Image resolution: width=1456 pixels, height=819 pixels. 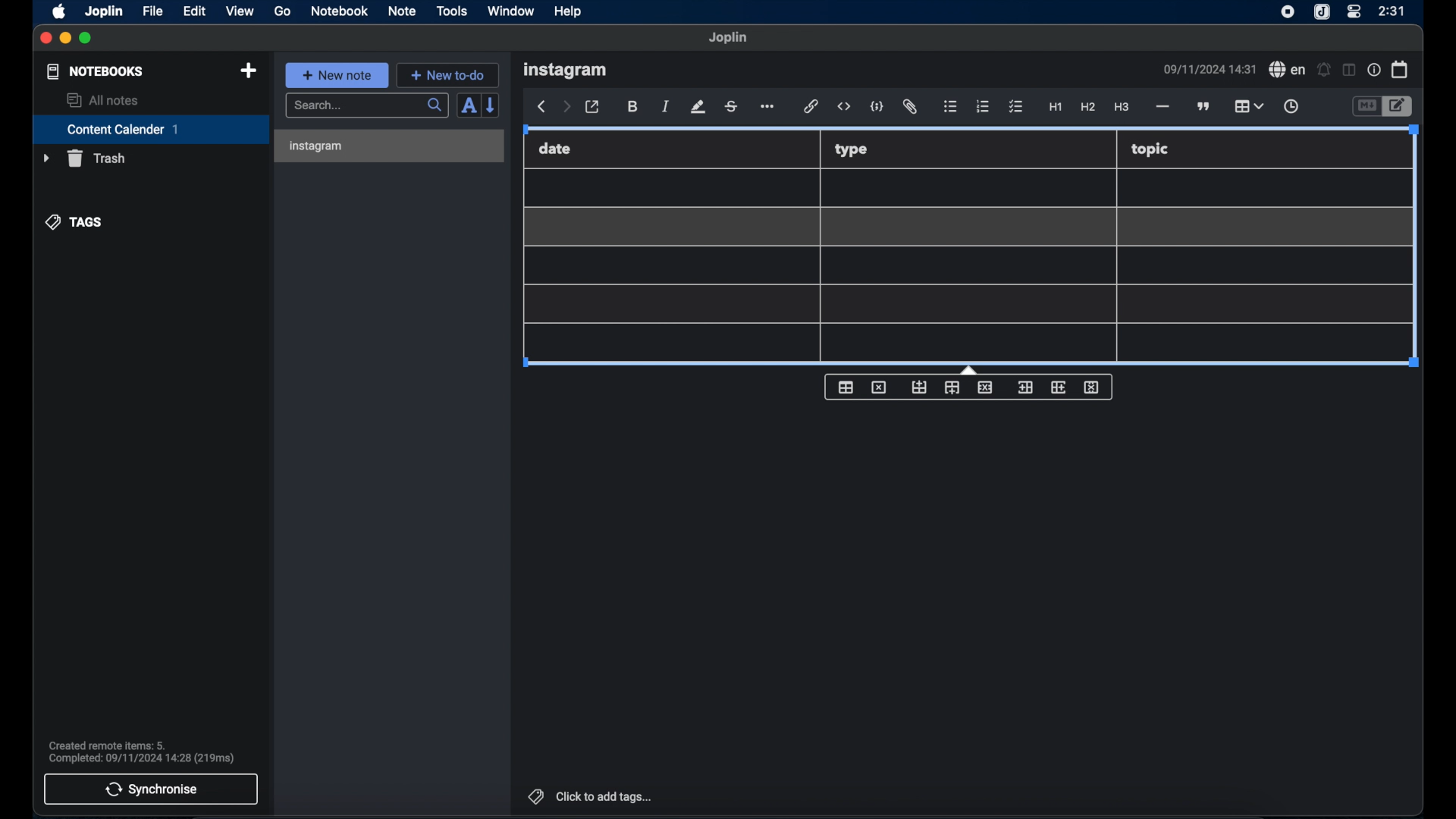 I want to click on insert column before, so click(x=1025, y=388).